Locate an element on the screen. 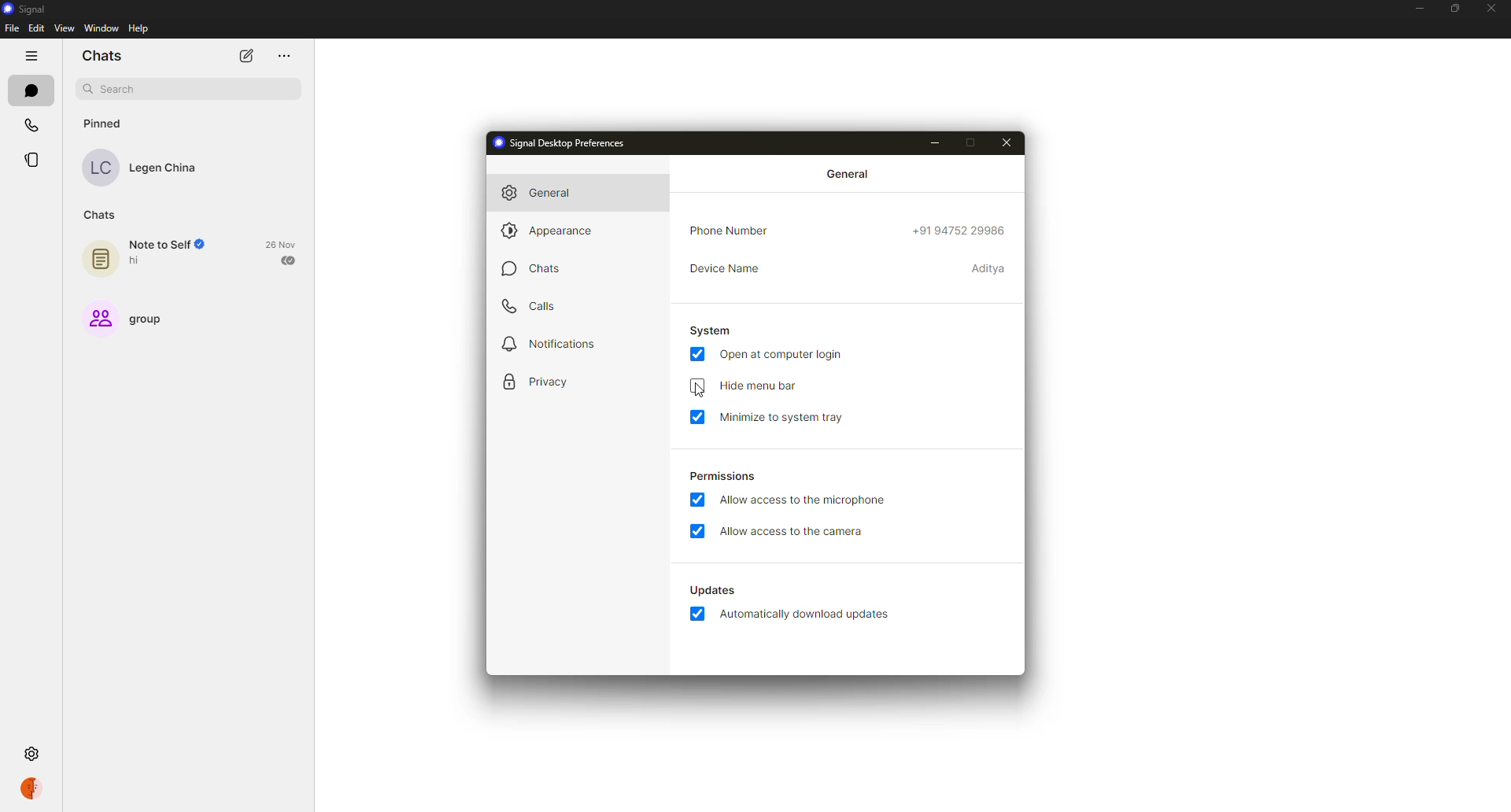 The height and width of the screenshot is (812, 1511). more is located at coordinates (282, 54).